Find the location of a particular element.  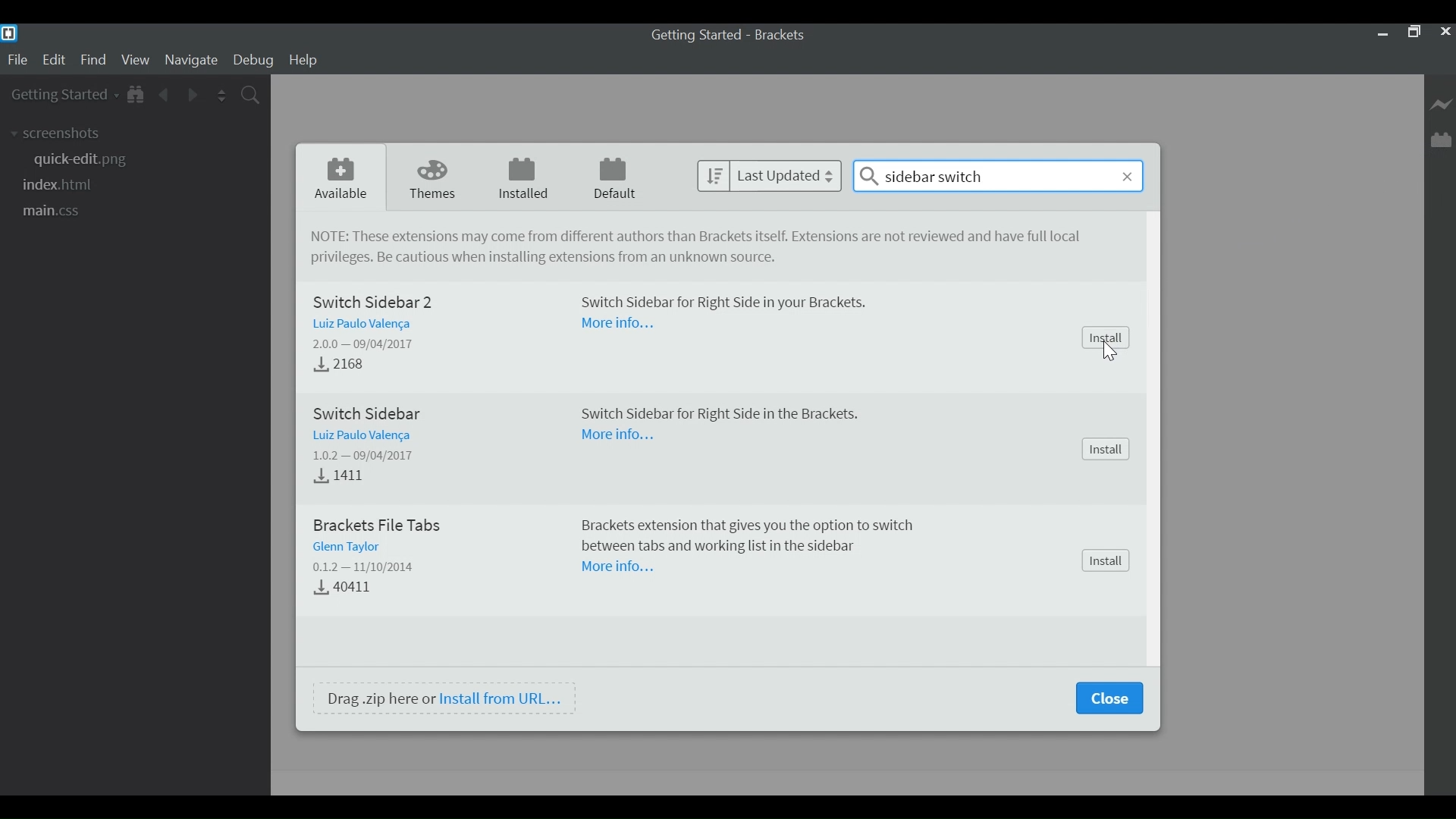

Debug is located at coordinates (254, 61).